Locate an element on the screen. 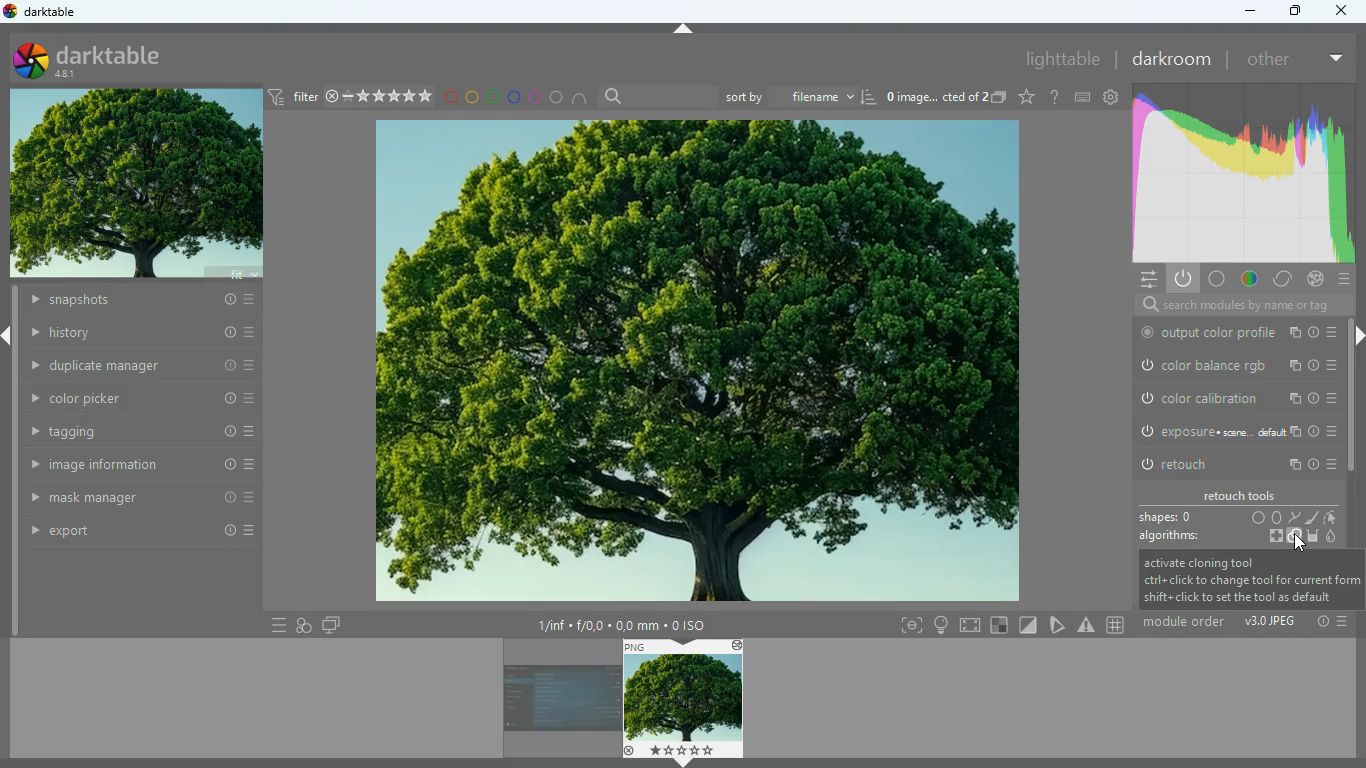 The image size is (1366, 768). edit is located at coordinates (1058, 625).